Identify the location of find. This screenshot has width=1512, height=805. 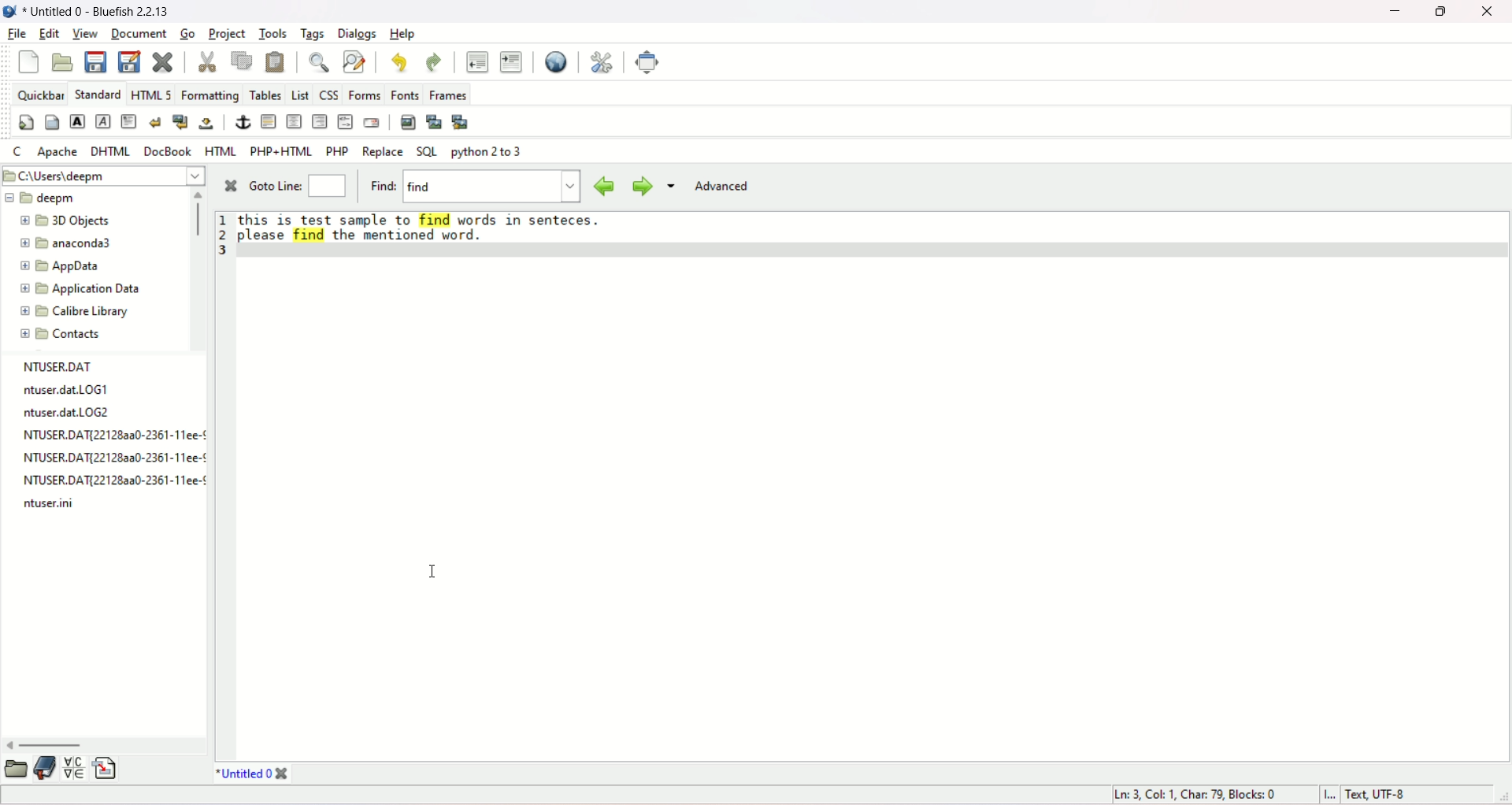
(474, 187).